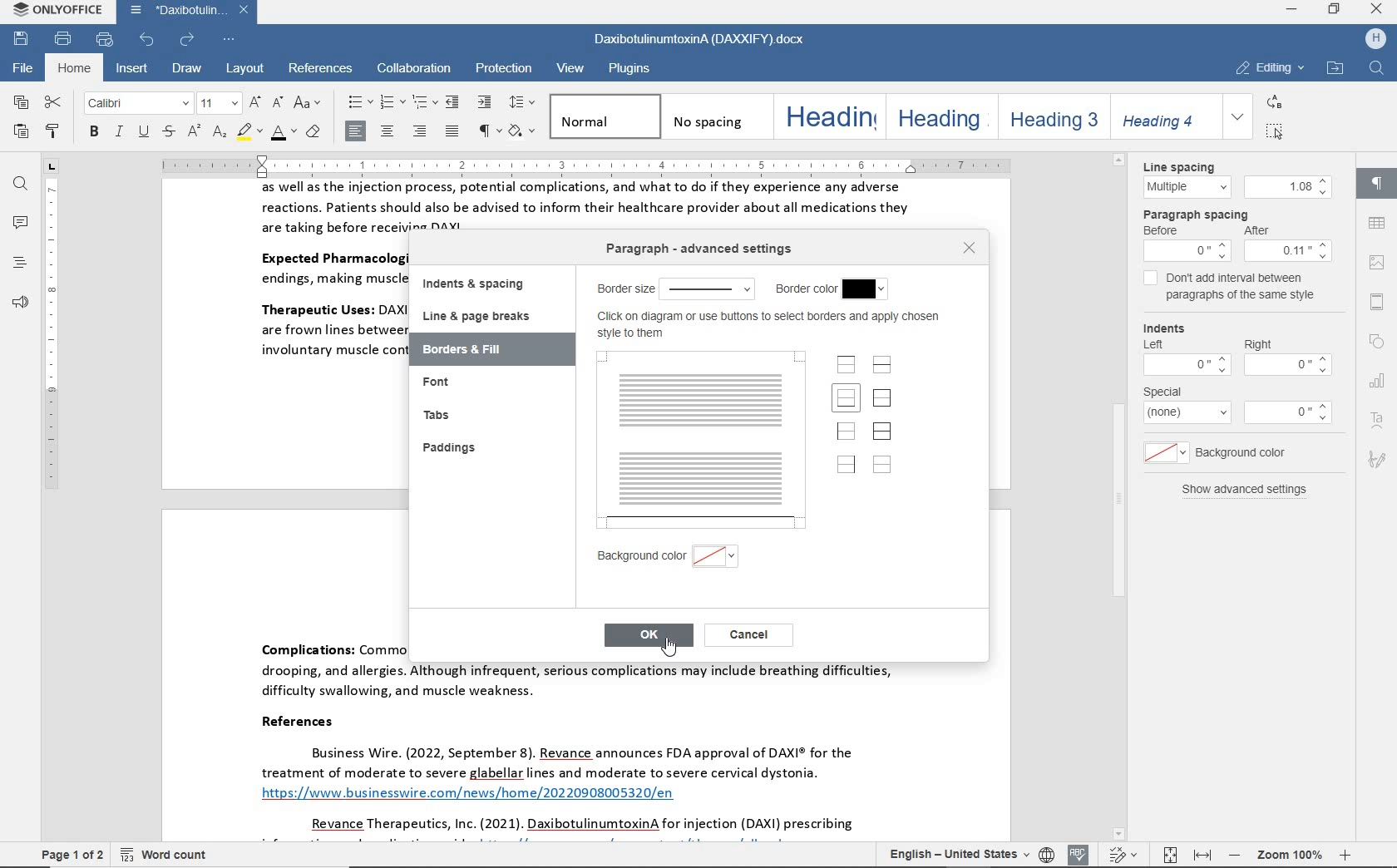 This screenshot has width=1397, height=868. Describe the element at coordinates (1126, 854) in the screenshot. I see `track changes` at that location.